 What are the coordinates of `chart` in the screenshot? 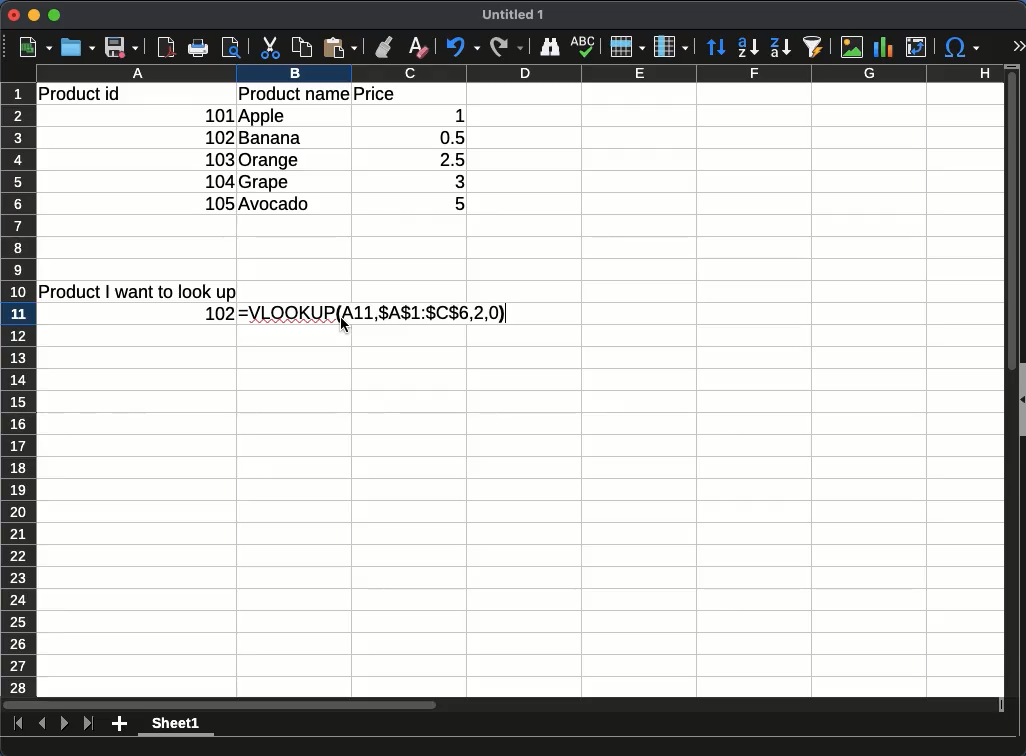 It's located at (883, 47).